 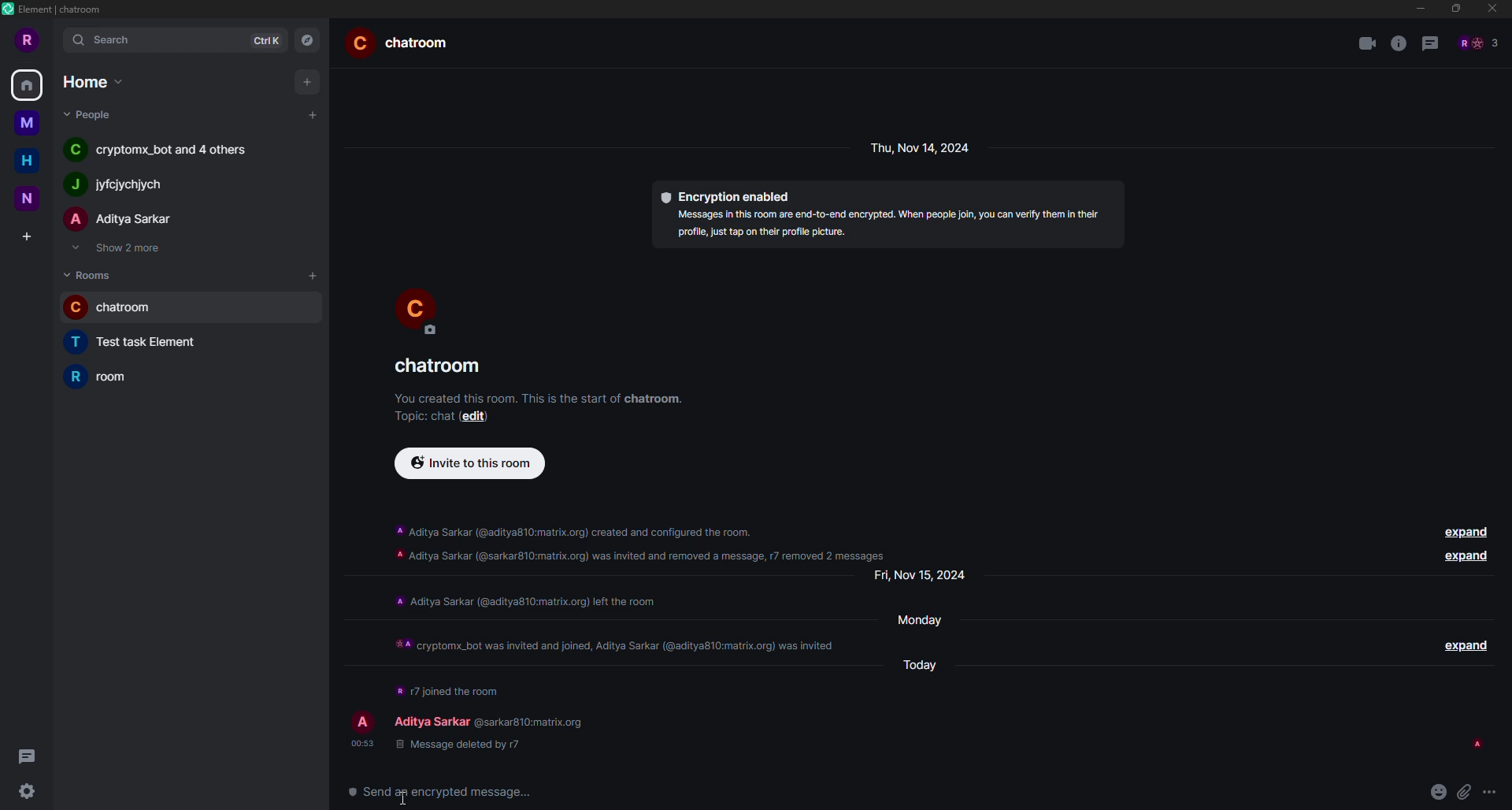 I want to click on expand, so click(x=1463, y=556).